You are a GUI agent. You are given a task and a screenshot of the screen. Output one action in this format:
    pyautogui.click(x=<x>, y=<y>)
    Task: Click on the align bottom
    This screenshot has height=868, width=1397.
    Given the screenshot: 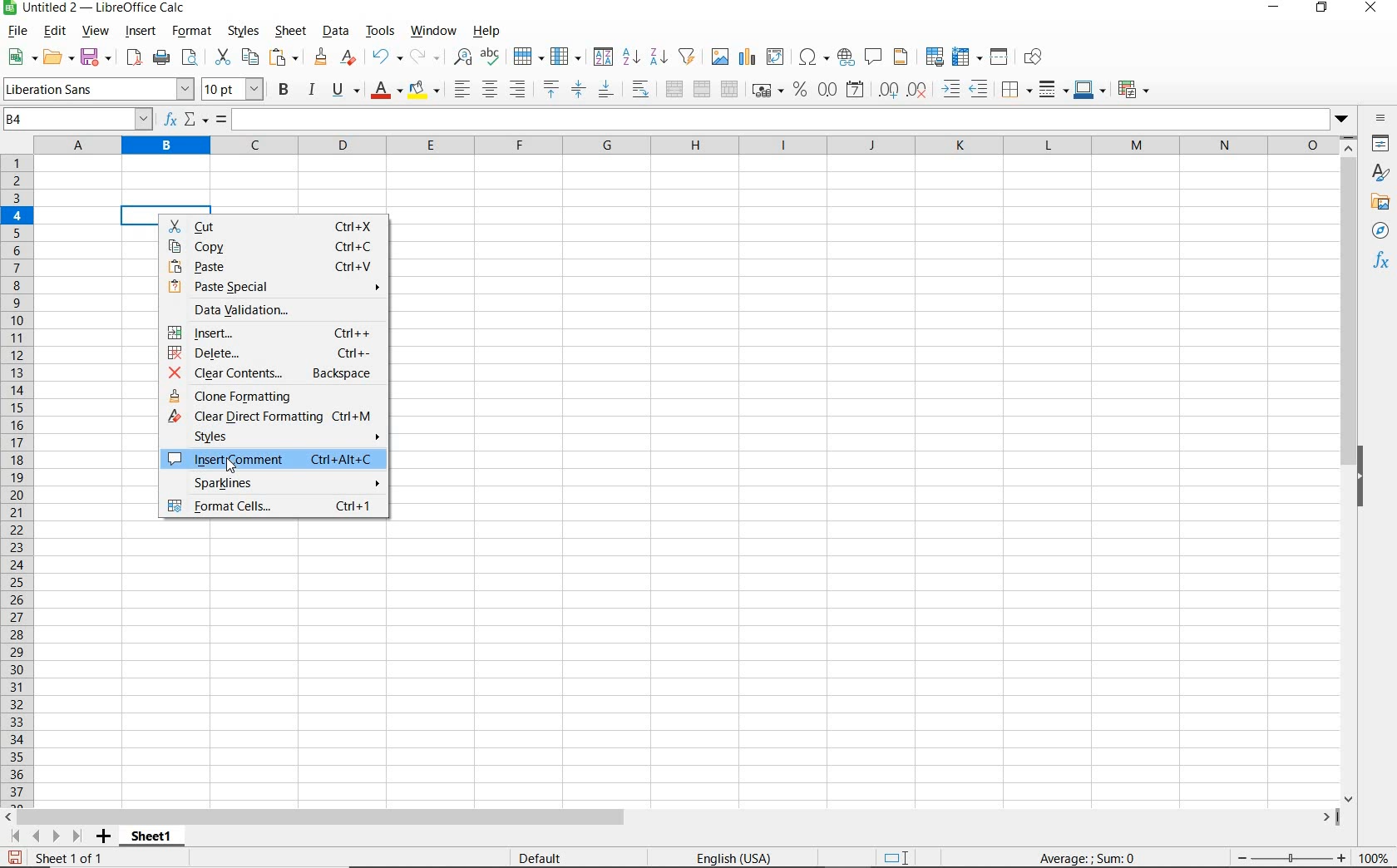 What is the action you would take?
    pyautogui.click(x=606, y=91)
    